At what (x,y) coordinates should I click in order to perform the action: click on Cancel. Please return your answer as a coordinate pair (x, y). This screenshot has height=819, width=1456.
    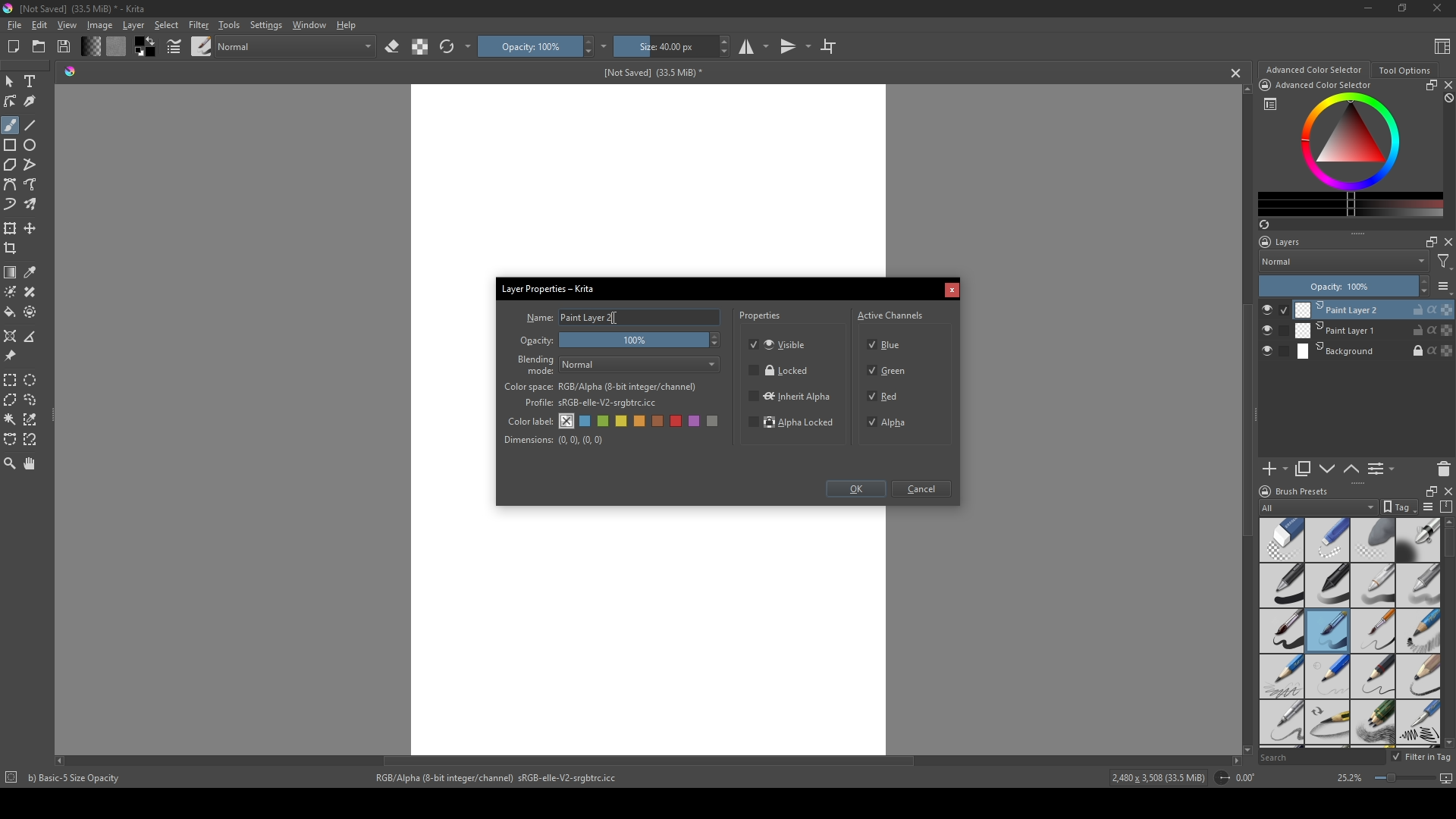
    Looking at the image, I should click on (924, 490).